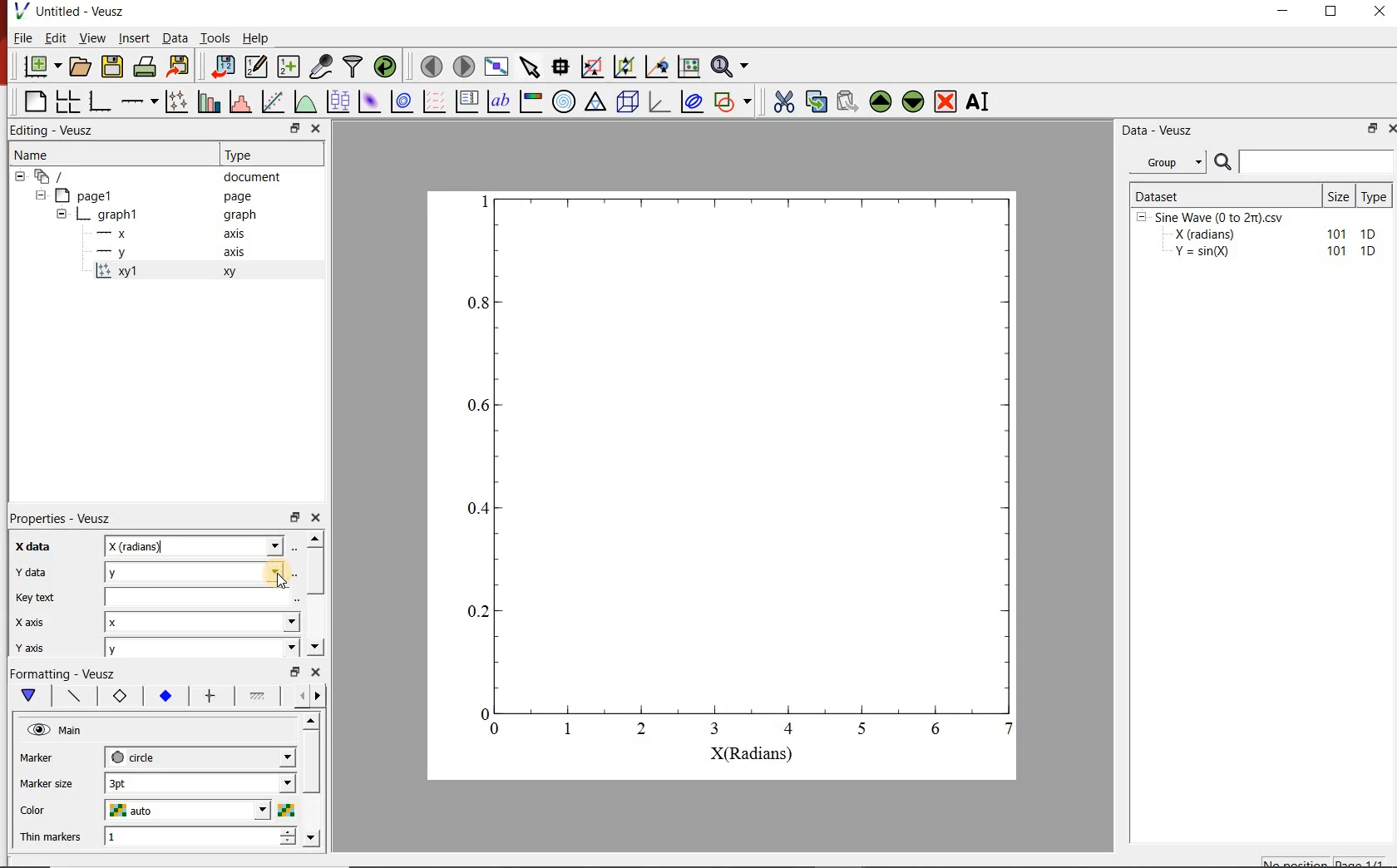  What do you see at coordinates (431, 66) in the screenshot?
I see `go to previous page` at bounding box center [431, 66].